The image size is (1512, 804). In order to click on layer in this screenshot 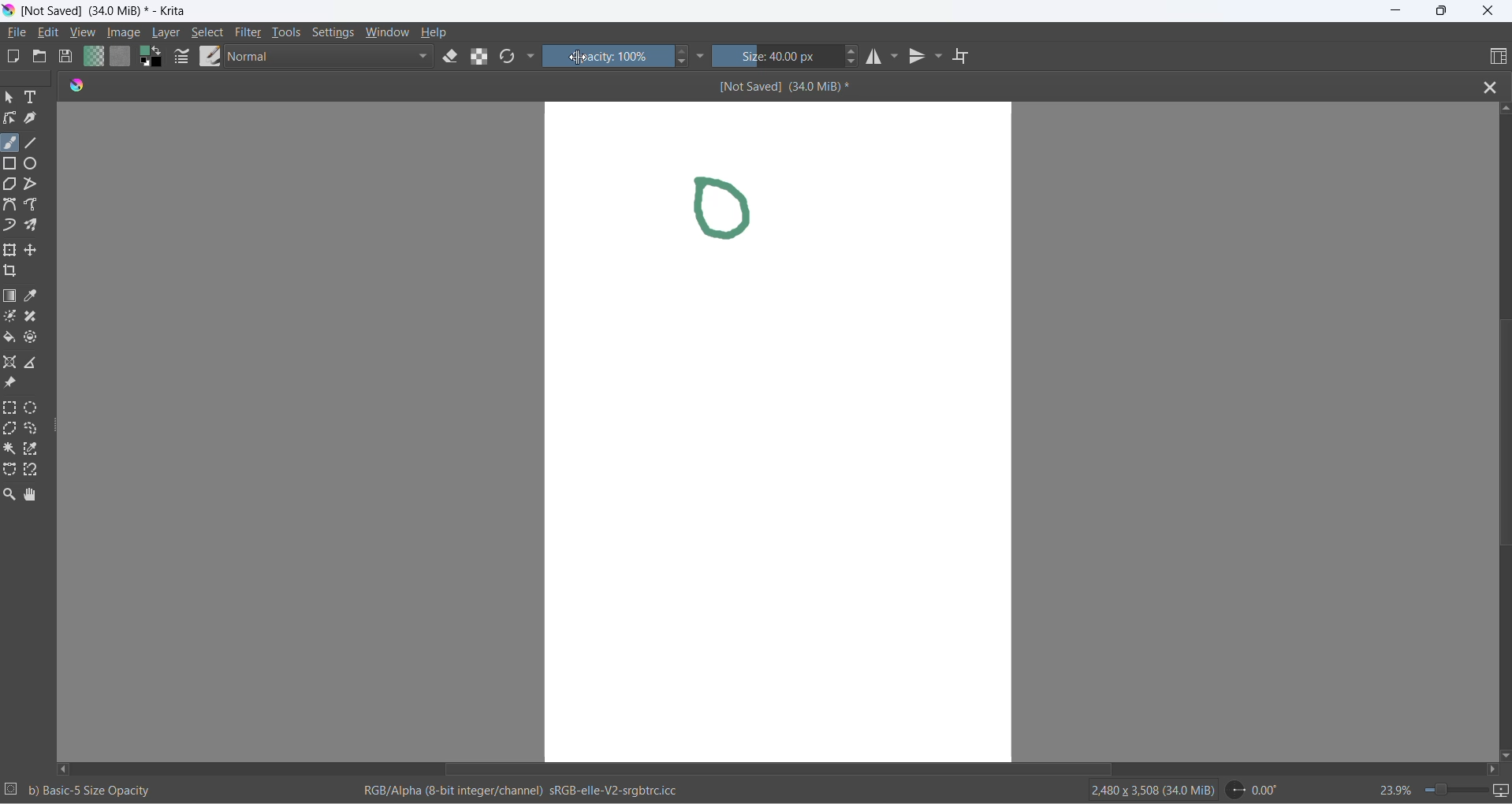, I will do `click(167, 32)`.